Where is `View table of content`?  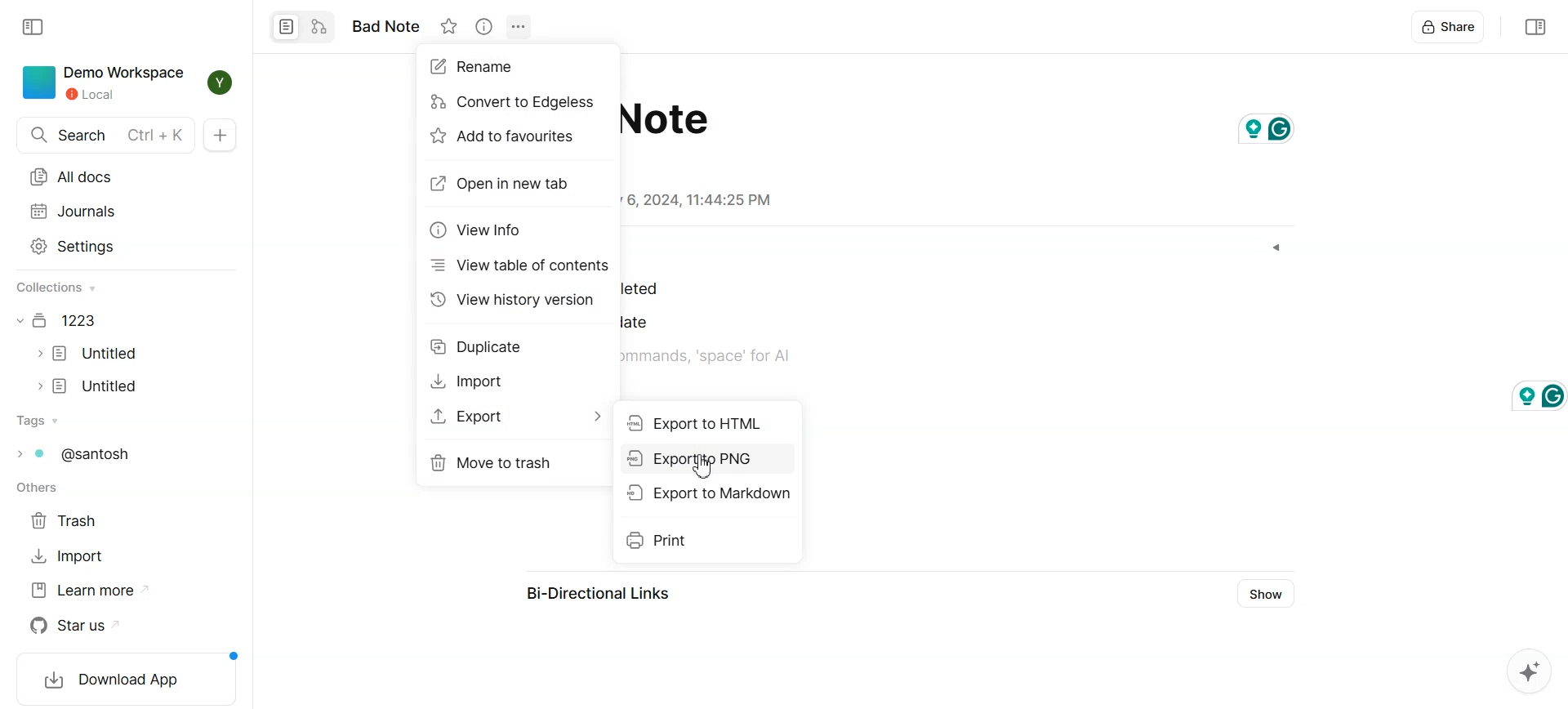 View table of content is located at coordinates (519, 265).